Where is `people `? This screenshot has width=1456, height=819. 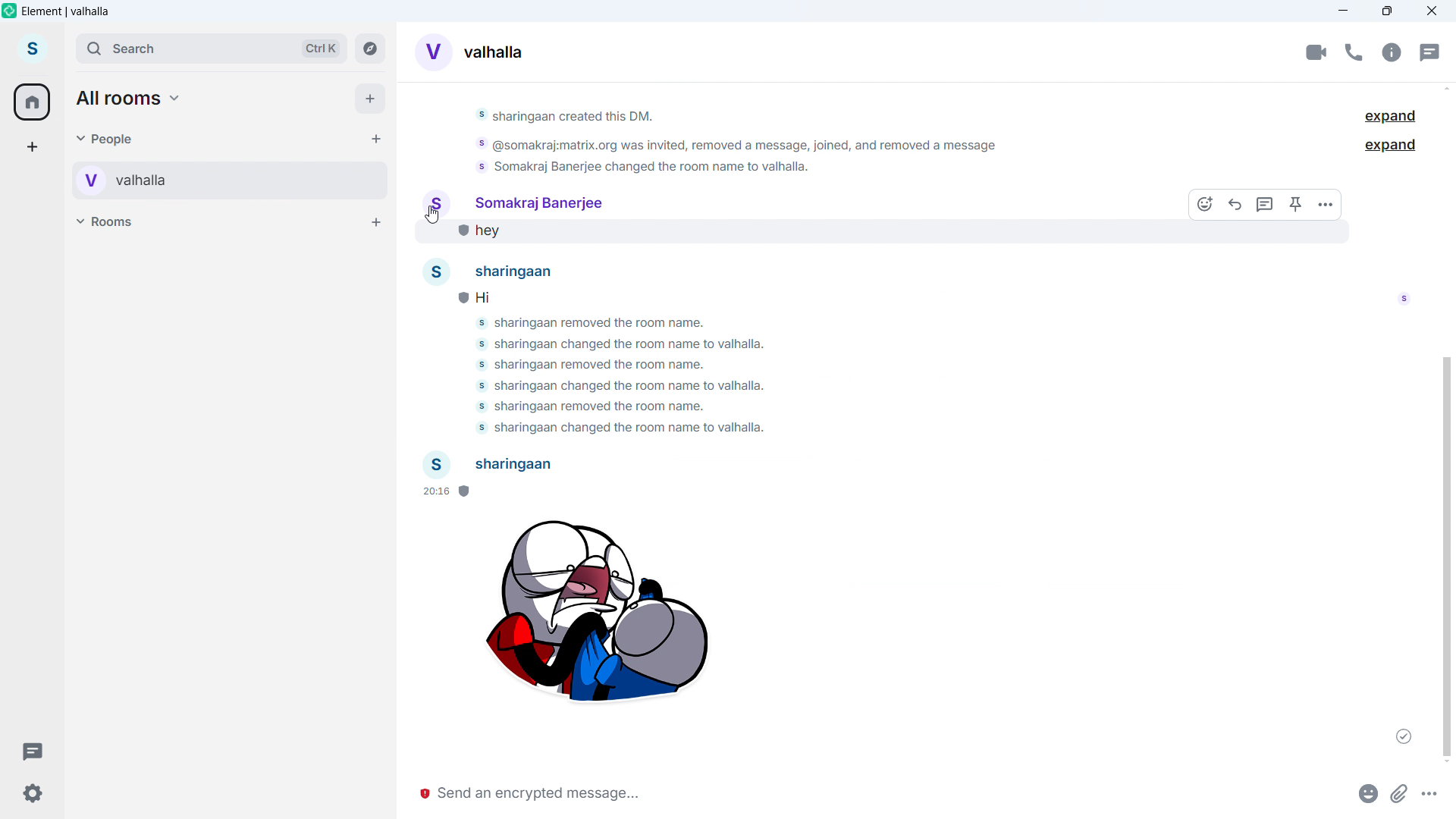
people  is located at coordinates (106, 138).